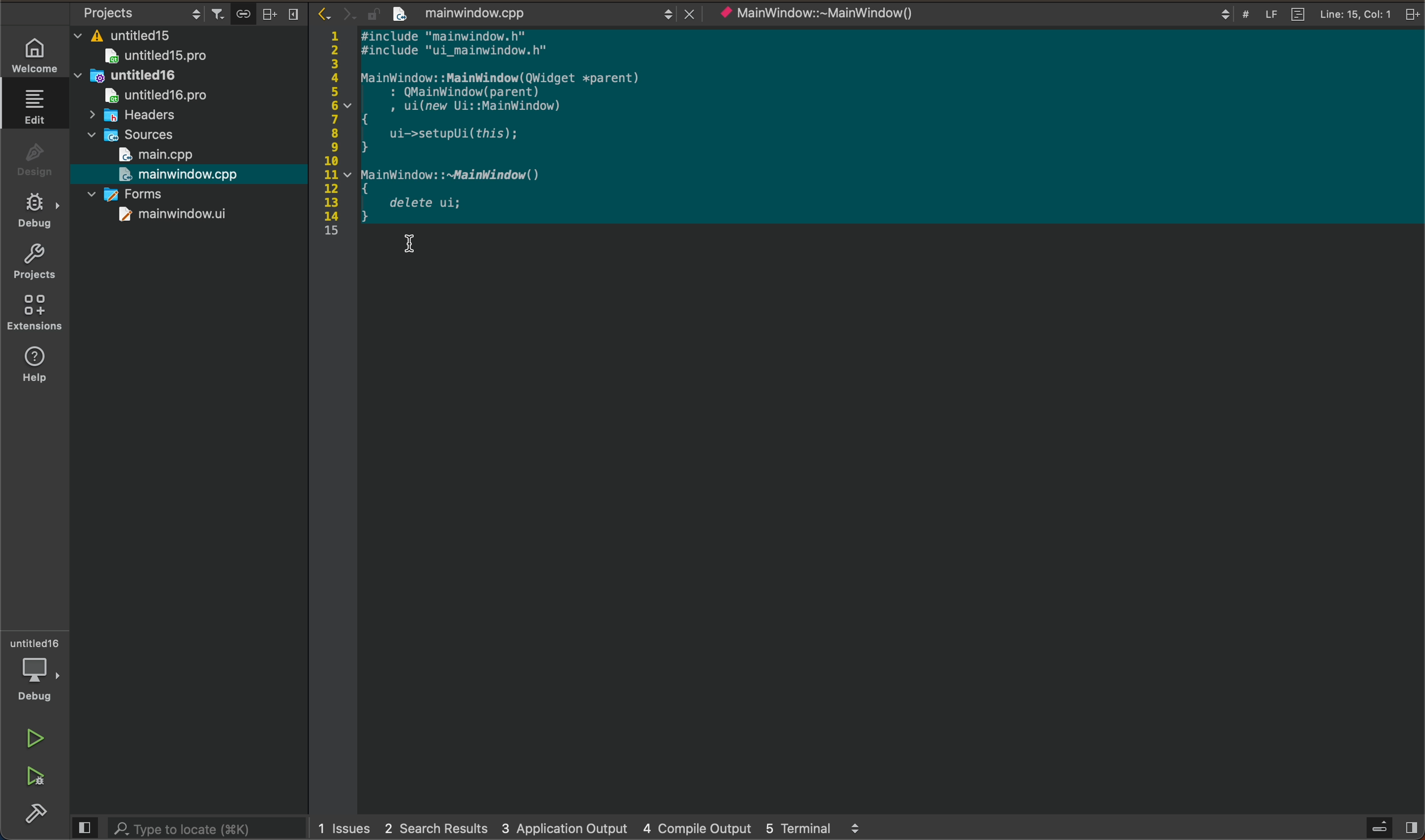  I want to click on Preview, so click(83, 827).